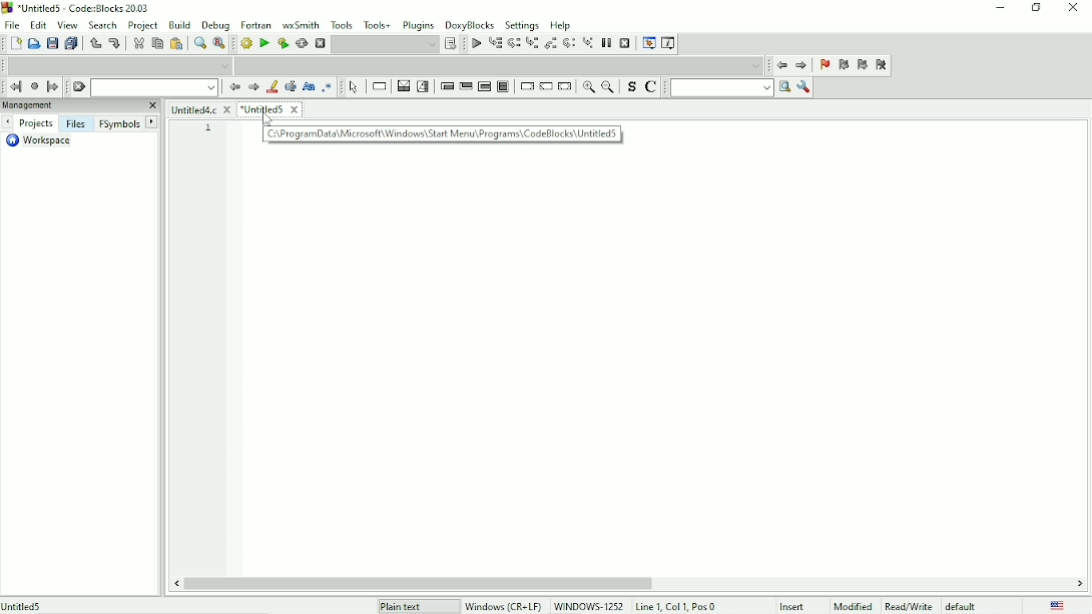 Image resolution: width=1092 pixels, height=614 pixels. I want to click on Settings, so click(522, 24).